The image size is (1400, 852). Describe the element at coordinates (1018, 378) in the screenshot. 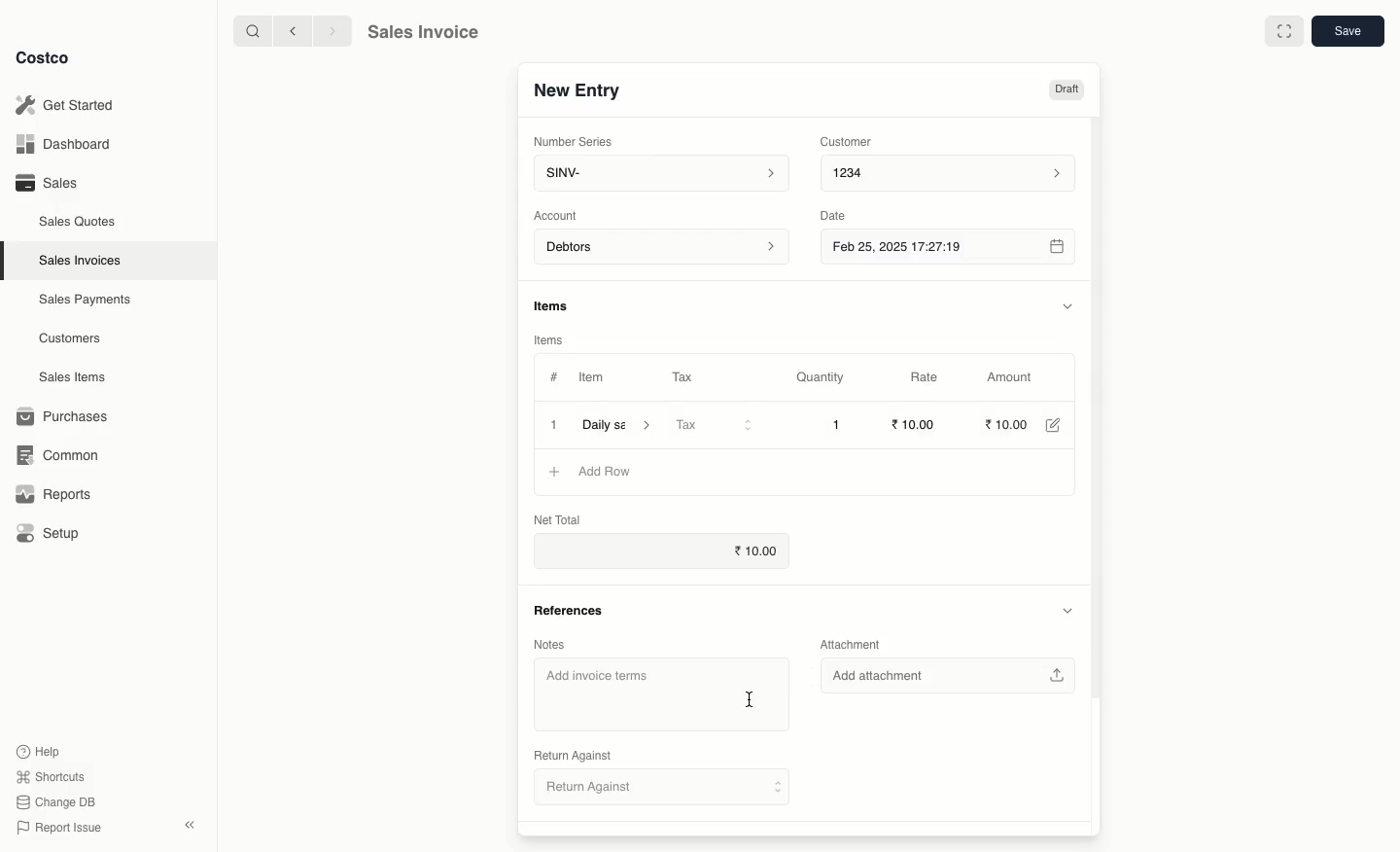

I see `‘Amount` at that location.